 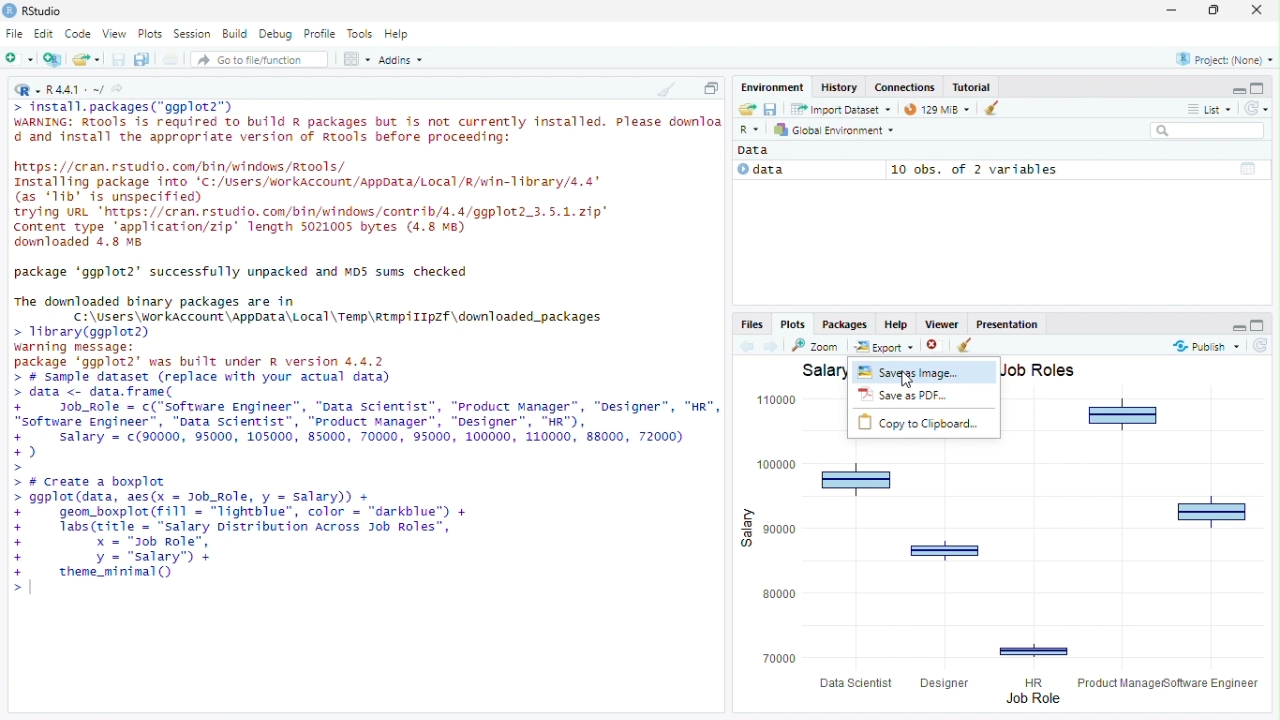 What do you see at coordinates (808, 170) in the screenshot?
I see `data` at bounding box center [808, 170].